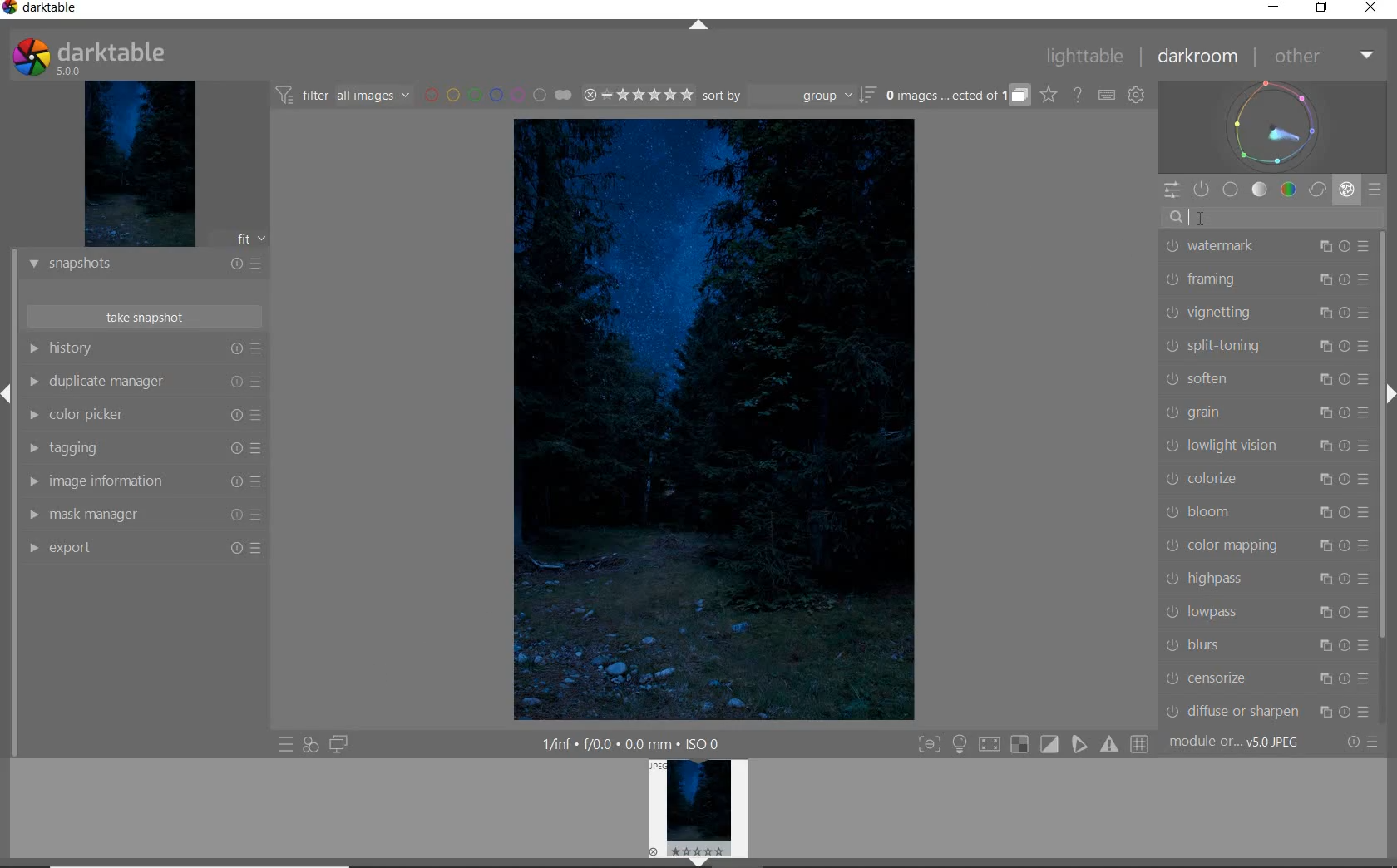  What do you see at coordinates (1291, 190) in the screenshot?
I see `COLOR` at bounding box center [1291, 190].